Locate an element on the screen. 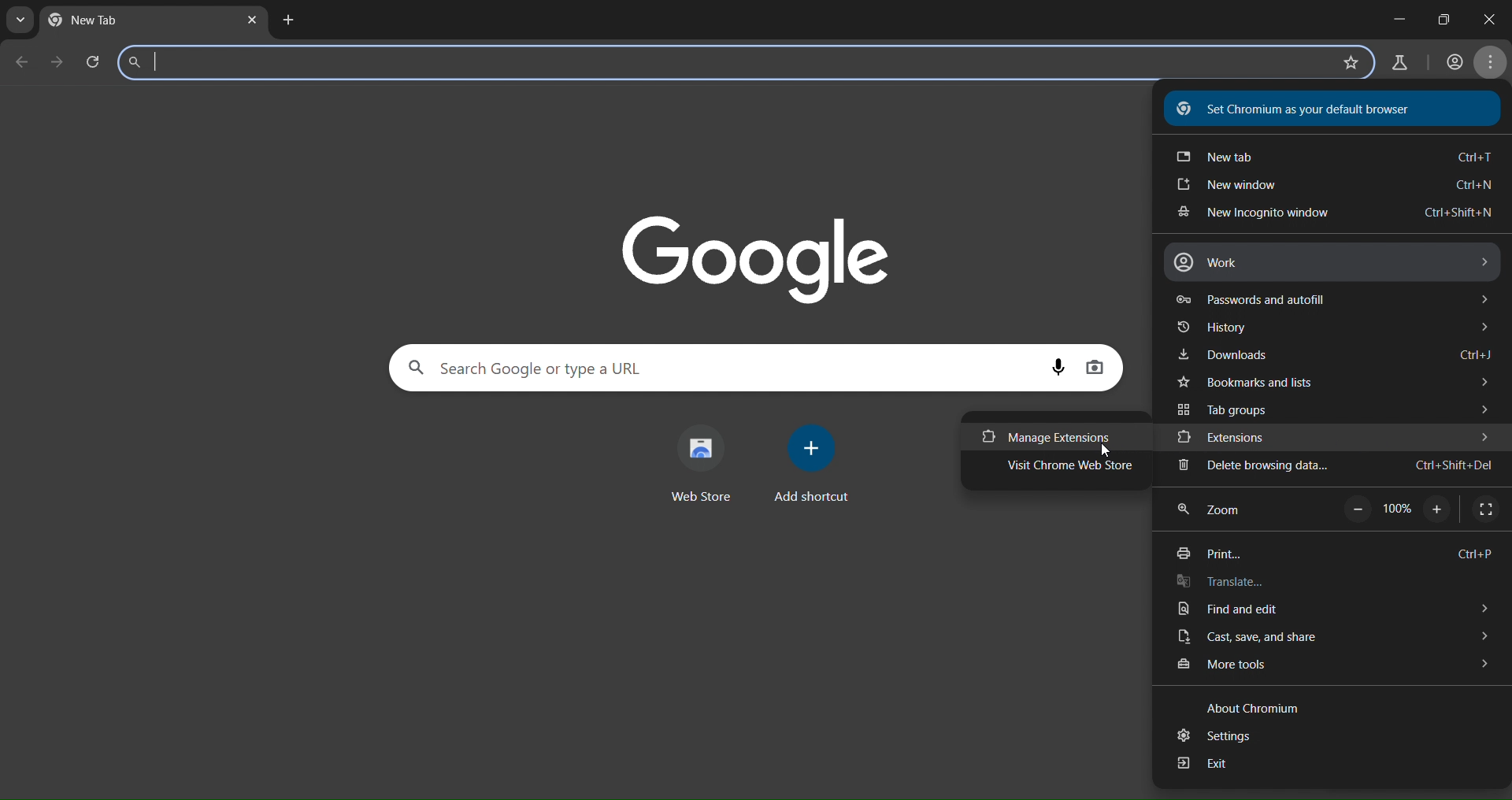 The width and height of the screenshot is (1512, 800). history is located at coordinates (1336, 328).